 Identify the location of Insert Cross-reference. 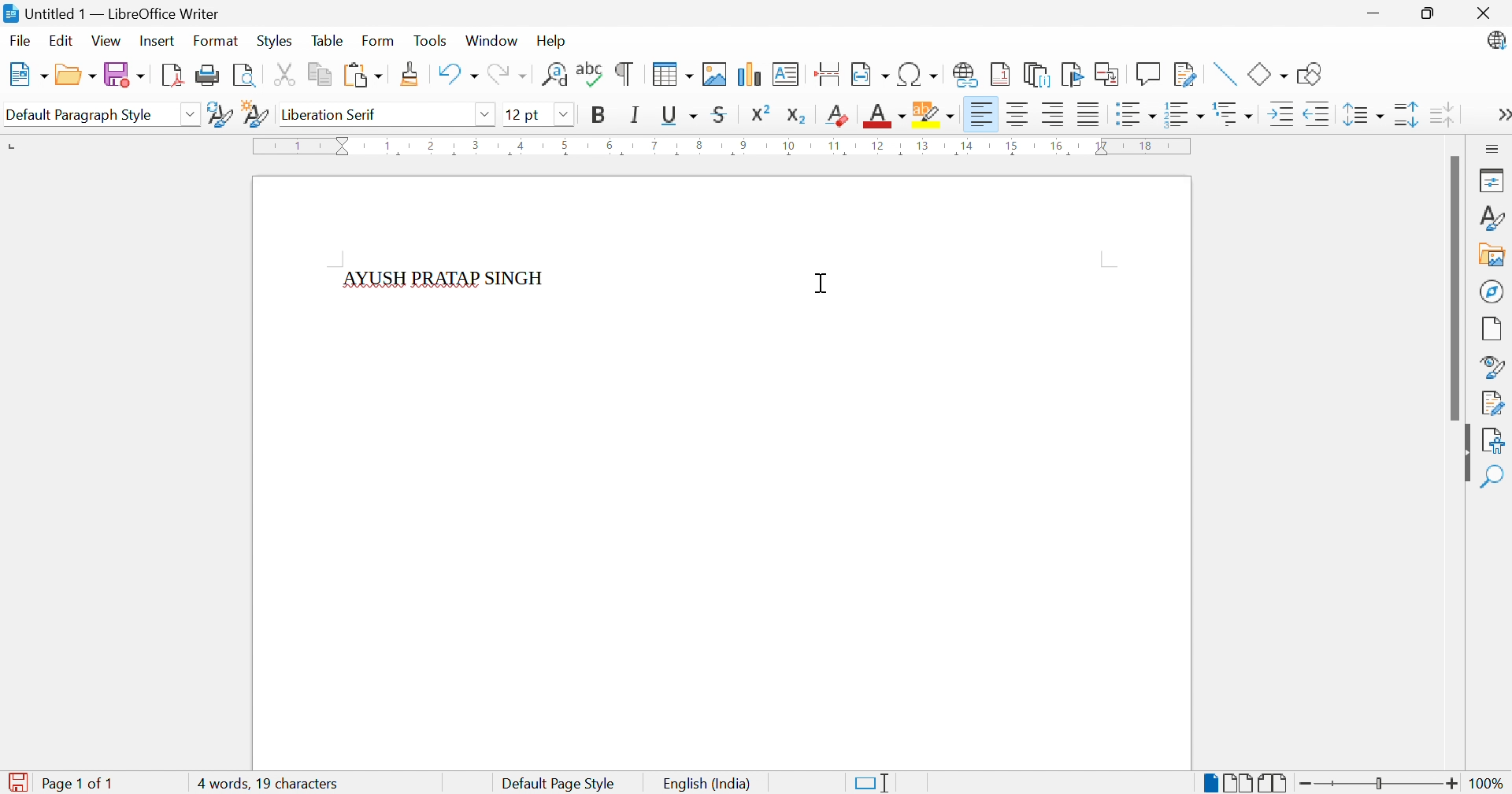
(1108, 74).